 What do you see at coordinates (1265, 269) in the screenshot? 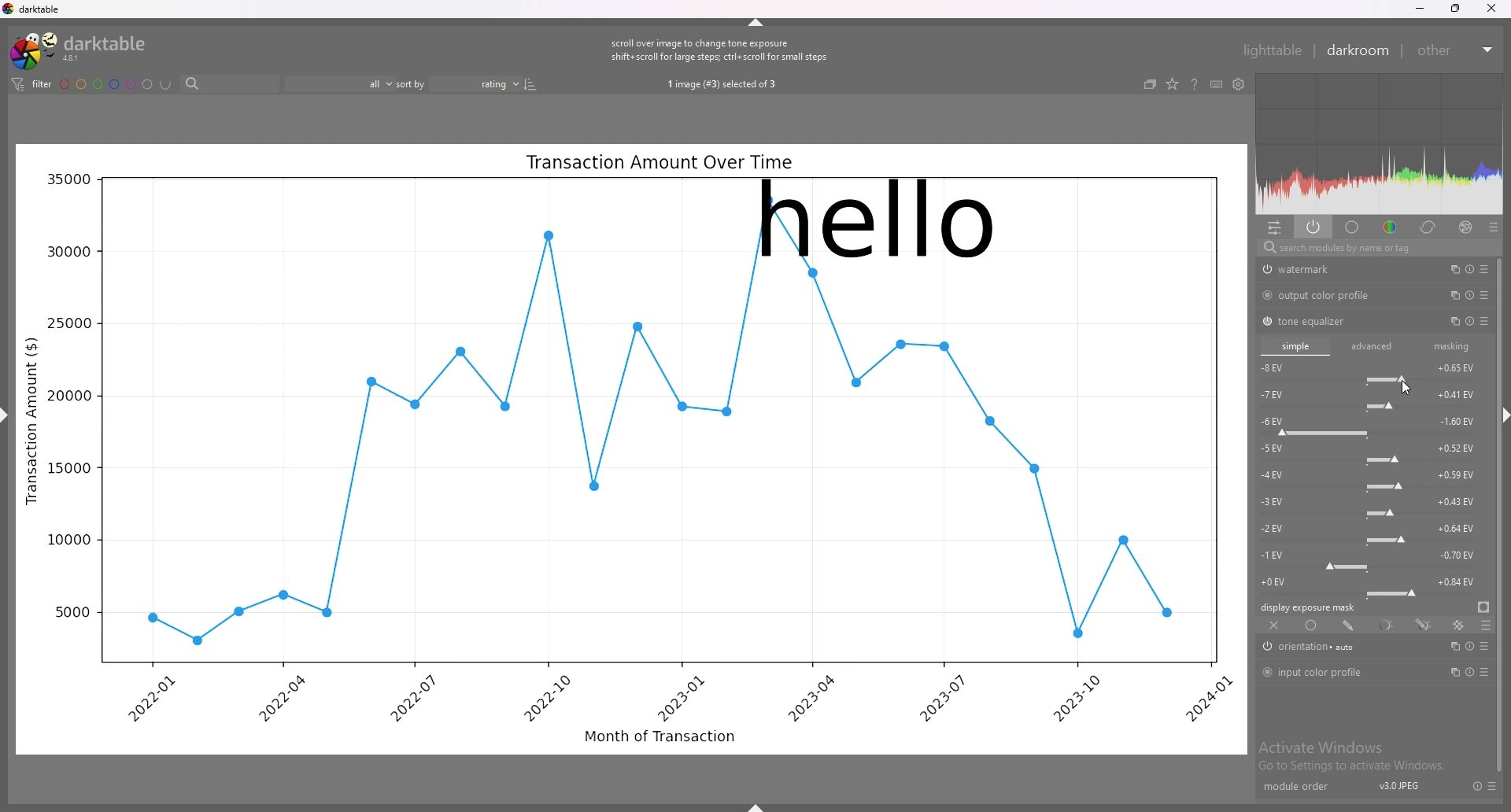
I see `swtich off/on` at bounding box center [1265, 269].